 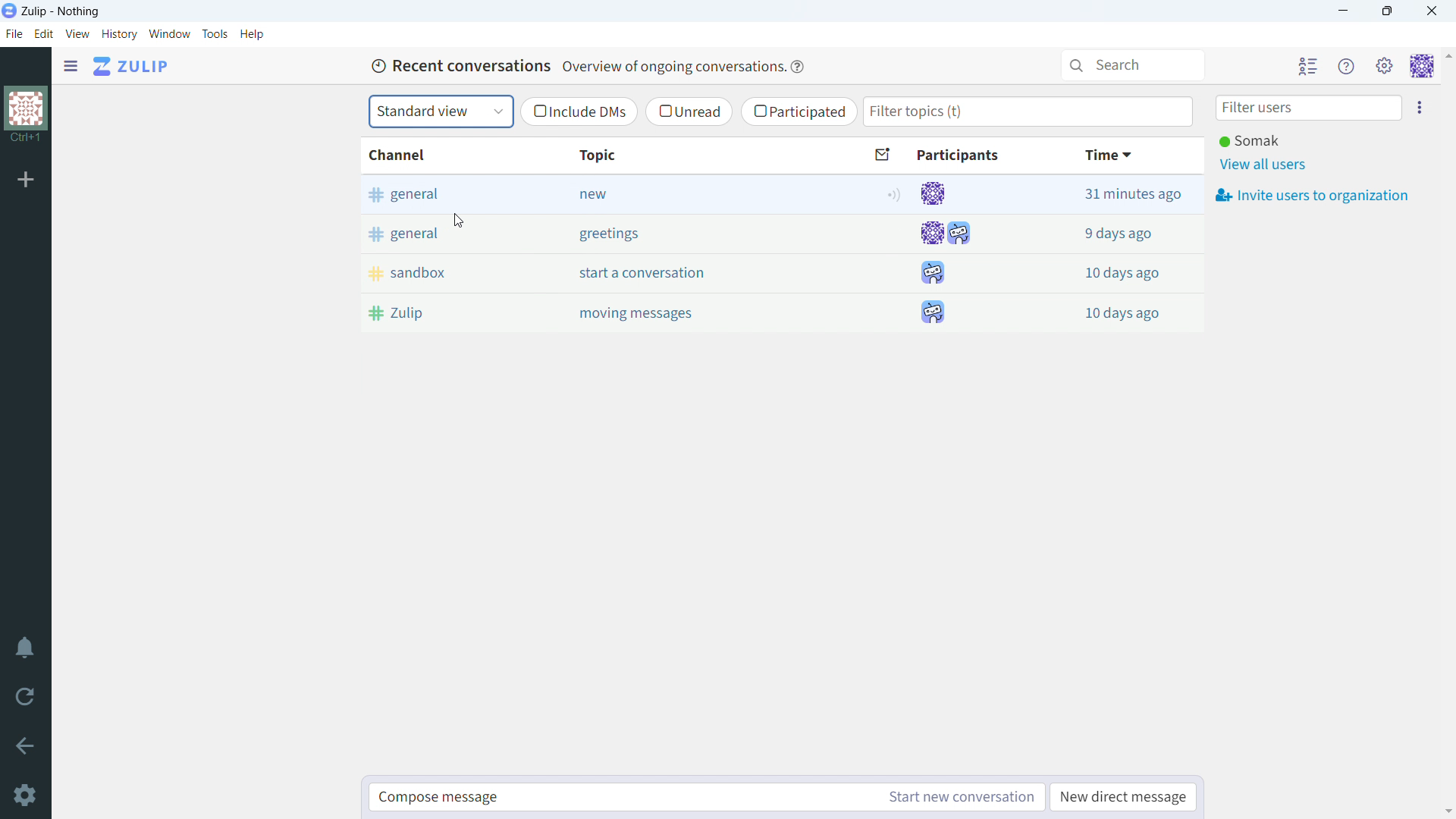 I want to click on moving messages, so click(x=675, y=312).